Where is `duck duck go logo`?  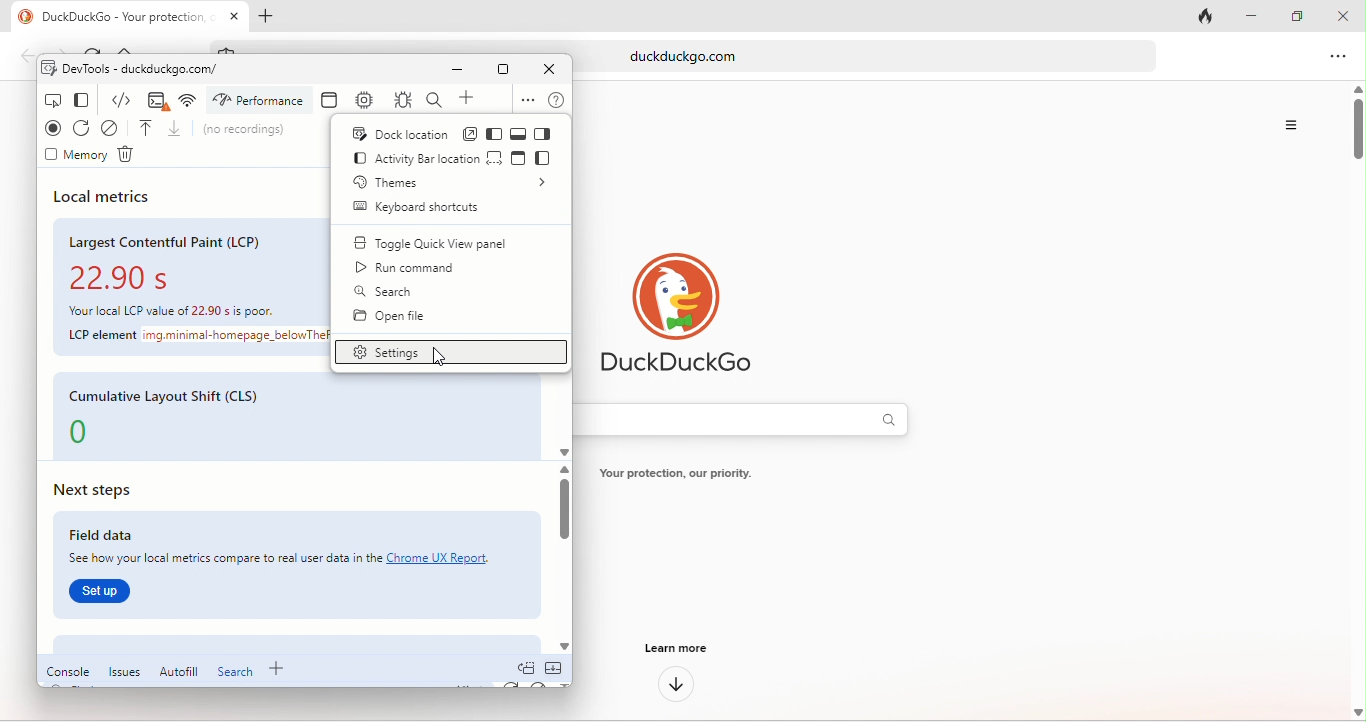
duck duck go logo is located at coordinates (683, 295).